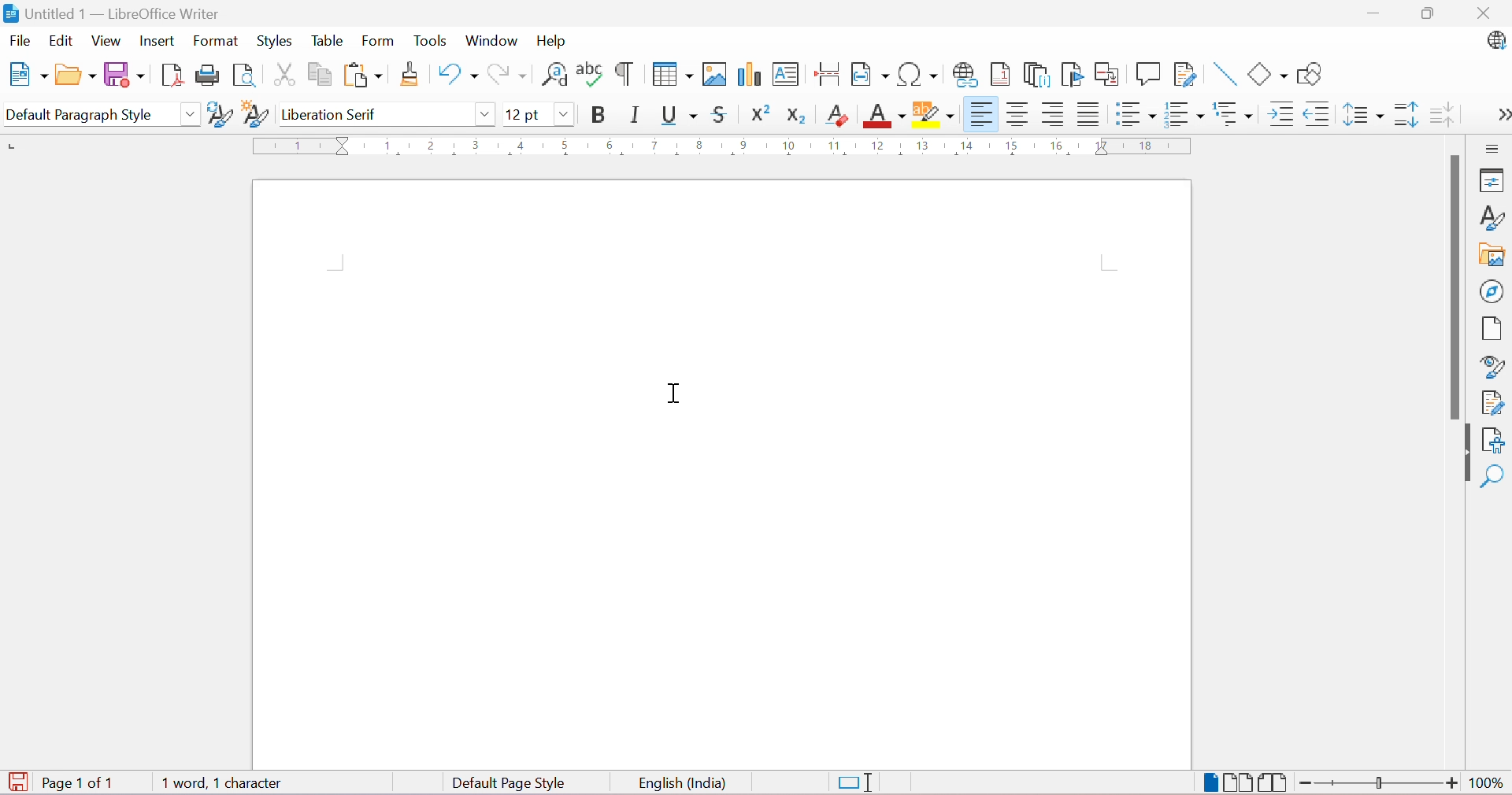 This screenshot has height=795, width=1512. What do you see at coordinates (1088, 113) in the screenshot?
I see `Justified` at bounding box center [1088, 113].